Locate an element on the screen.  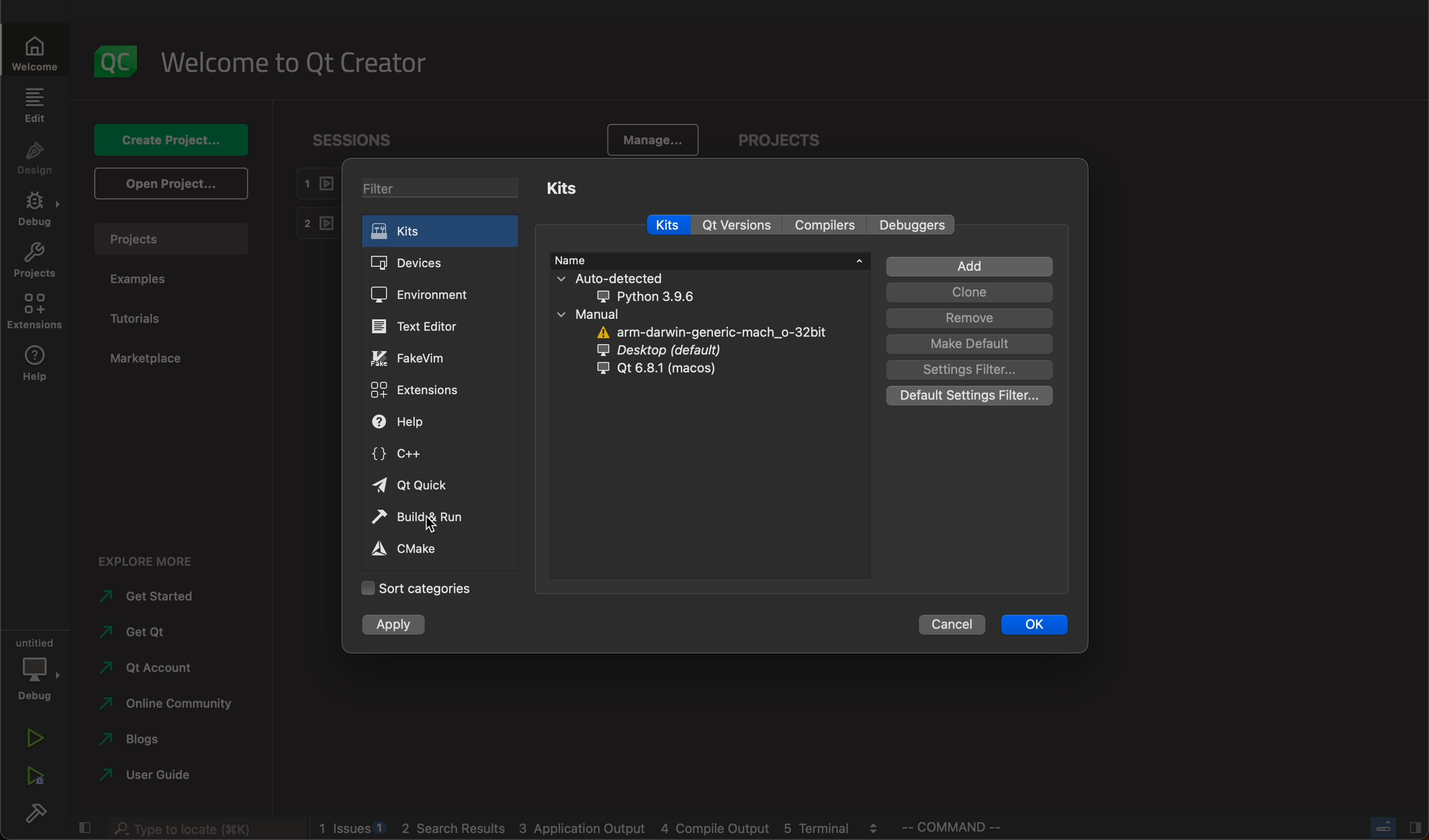
ok is located at coordinates (1033, 624).